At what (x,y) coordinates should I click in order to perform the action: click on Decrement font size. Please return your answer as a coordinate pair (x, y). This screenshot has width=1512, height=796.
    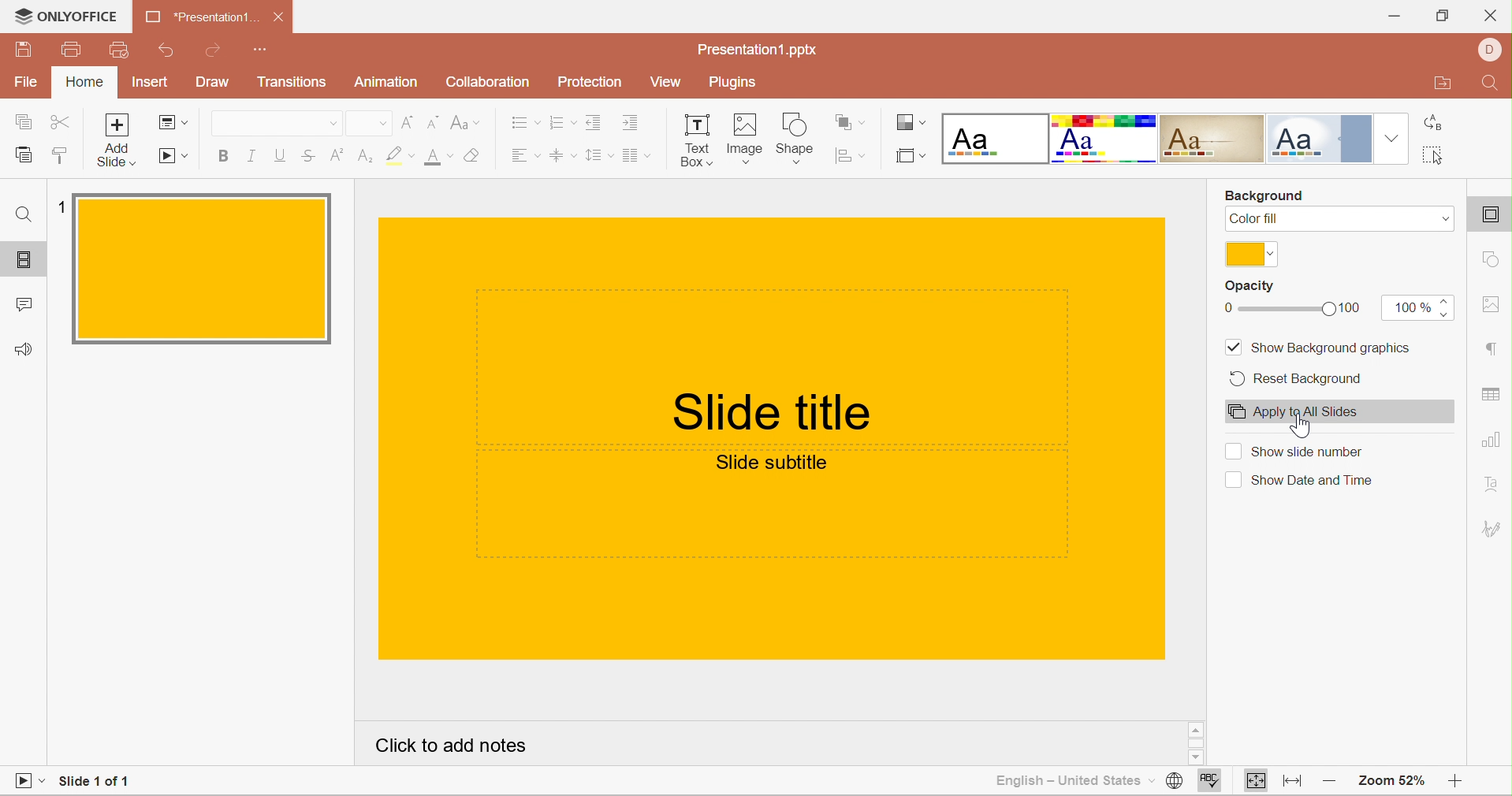
    Looking at the image, I should click on (431, 121).